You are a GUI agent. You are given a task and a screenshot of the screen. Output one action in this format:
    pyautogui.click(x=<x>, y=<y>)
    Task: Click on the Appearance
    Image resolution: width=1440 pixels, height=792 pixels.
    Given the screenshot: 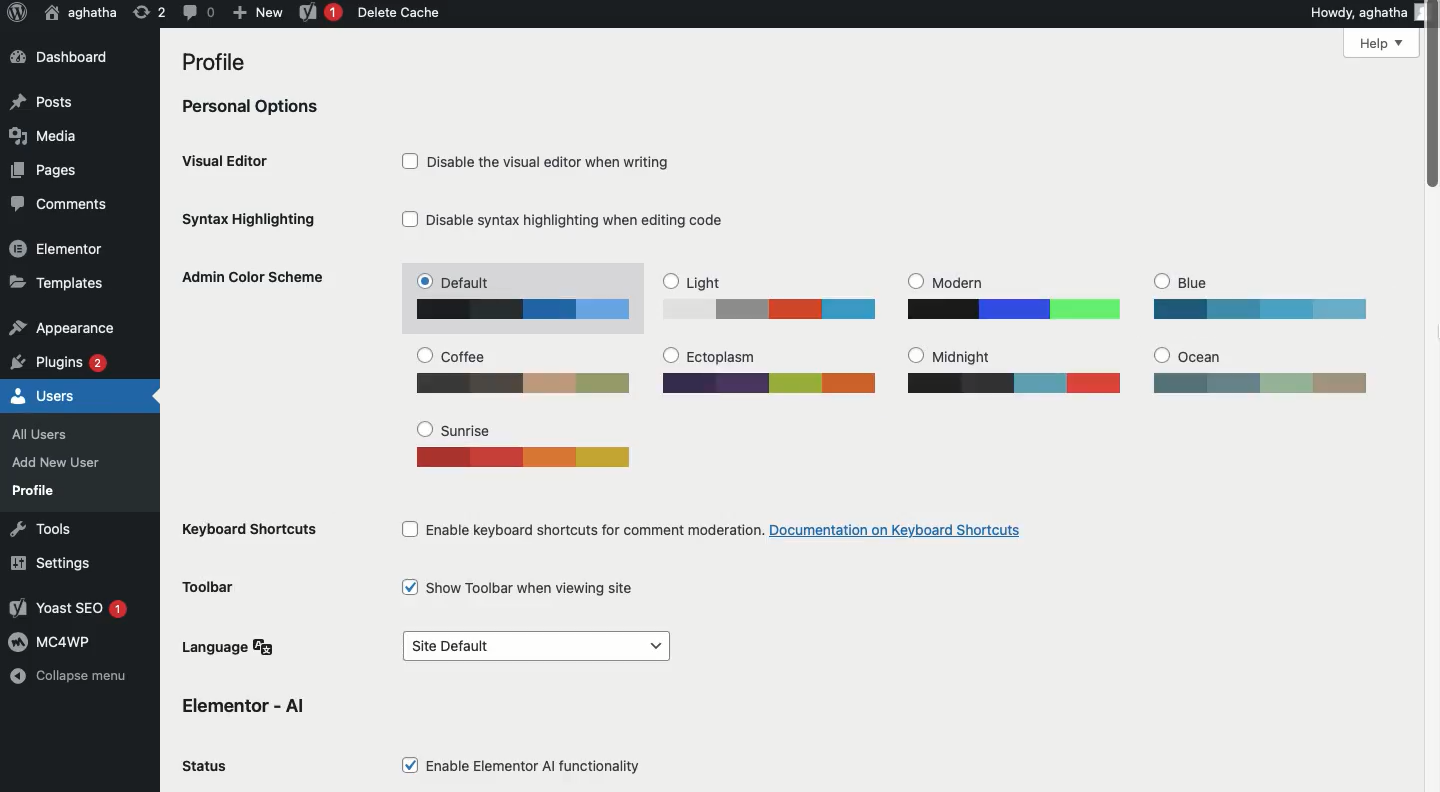 What is the action you would take?
    pyautogui.click(x=61, y=325)
    